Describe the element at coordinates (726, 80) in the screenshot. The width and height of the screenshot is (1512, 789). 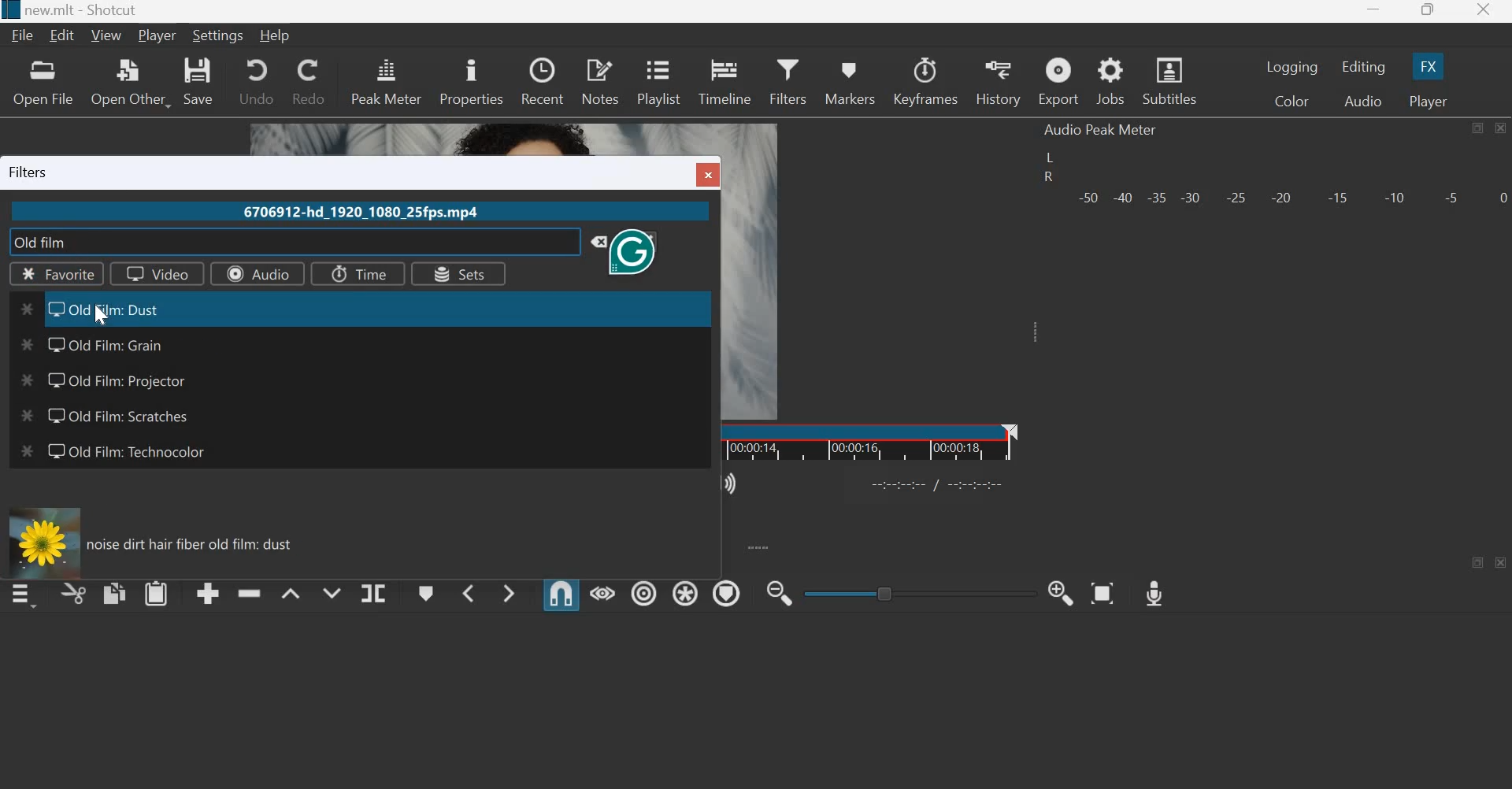
I see `timeline` at that location.